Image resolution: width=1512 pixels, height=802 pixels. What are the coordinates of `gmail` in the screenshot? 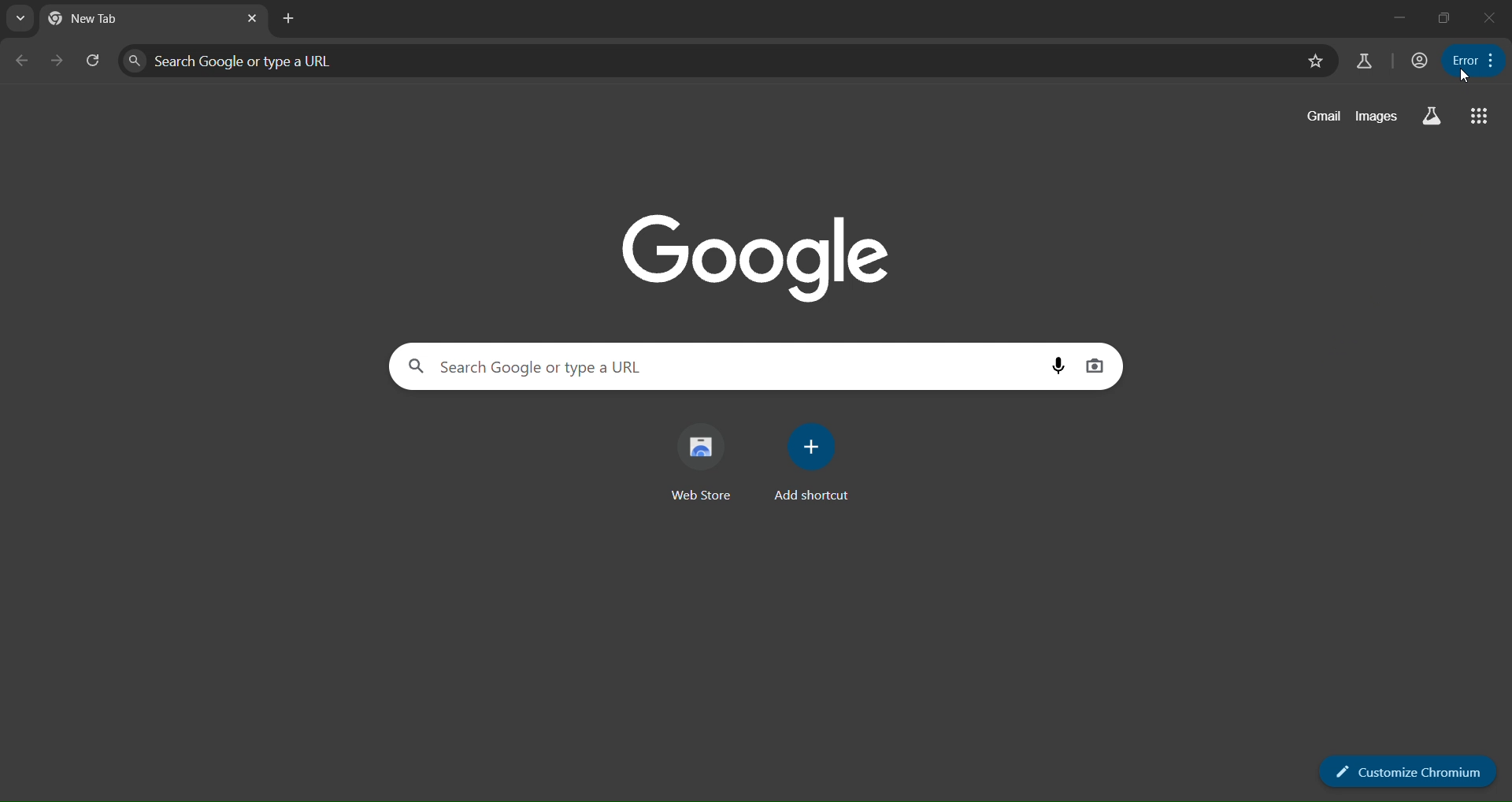 It's located at (1319, 117).